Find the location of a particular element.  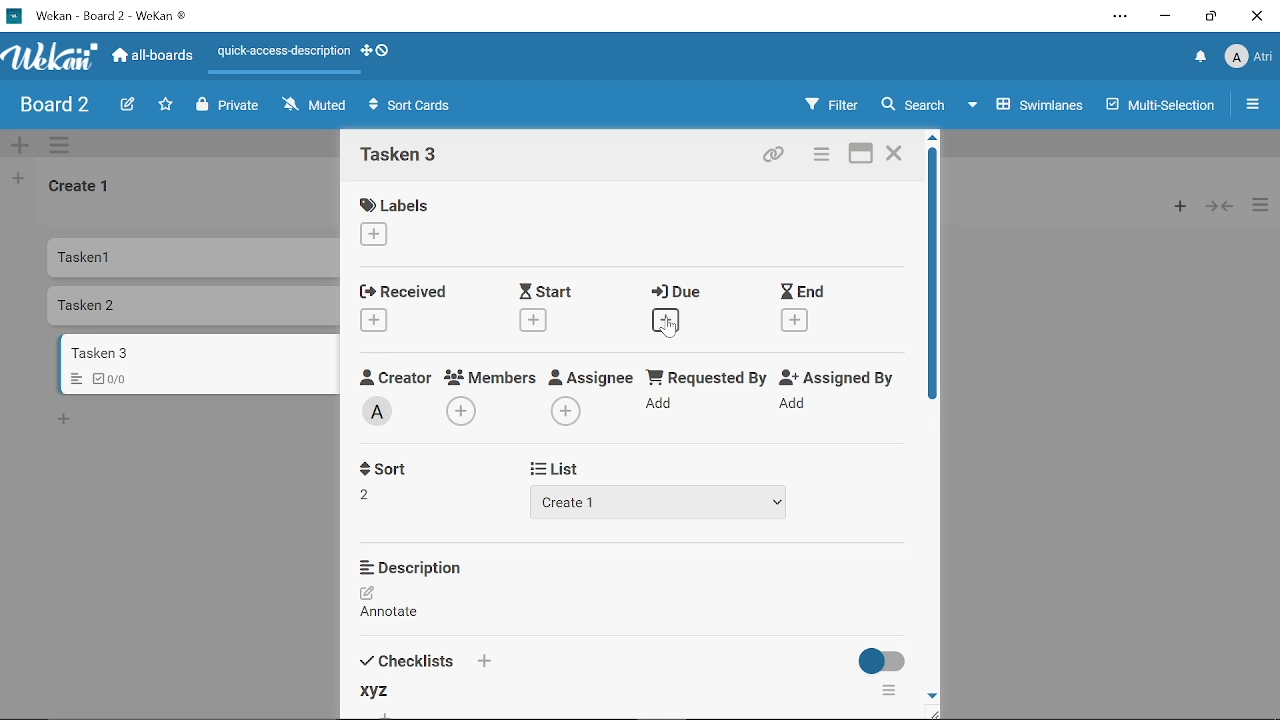

Star this board is located at coordinates (165, 105).